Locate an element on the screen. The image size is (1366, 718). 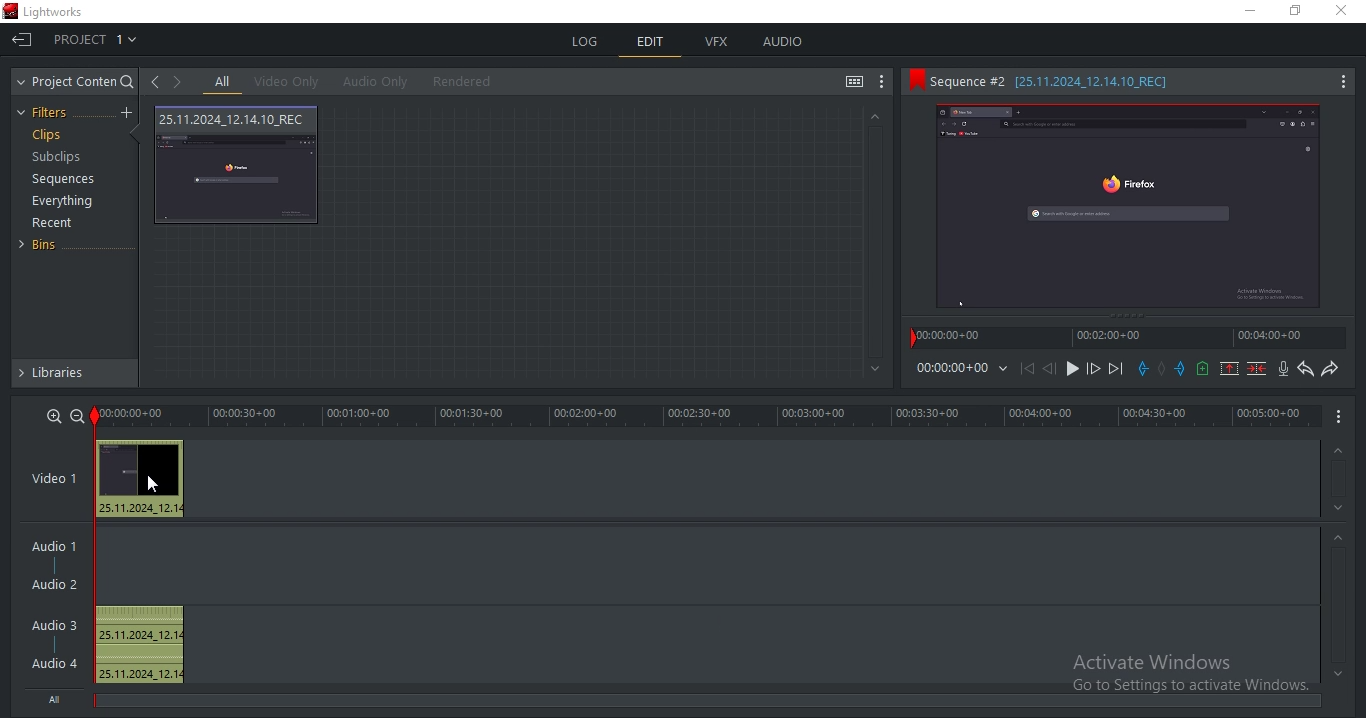
all is located at coordinates (222, 83).